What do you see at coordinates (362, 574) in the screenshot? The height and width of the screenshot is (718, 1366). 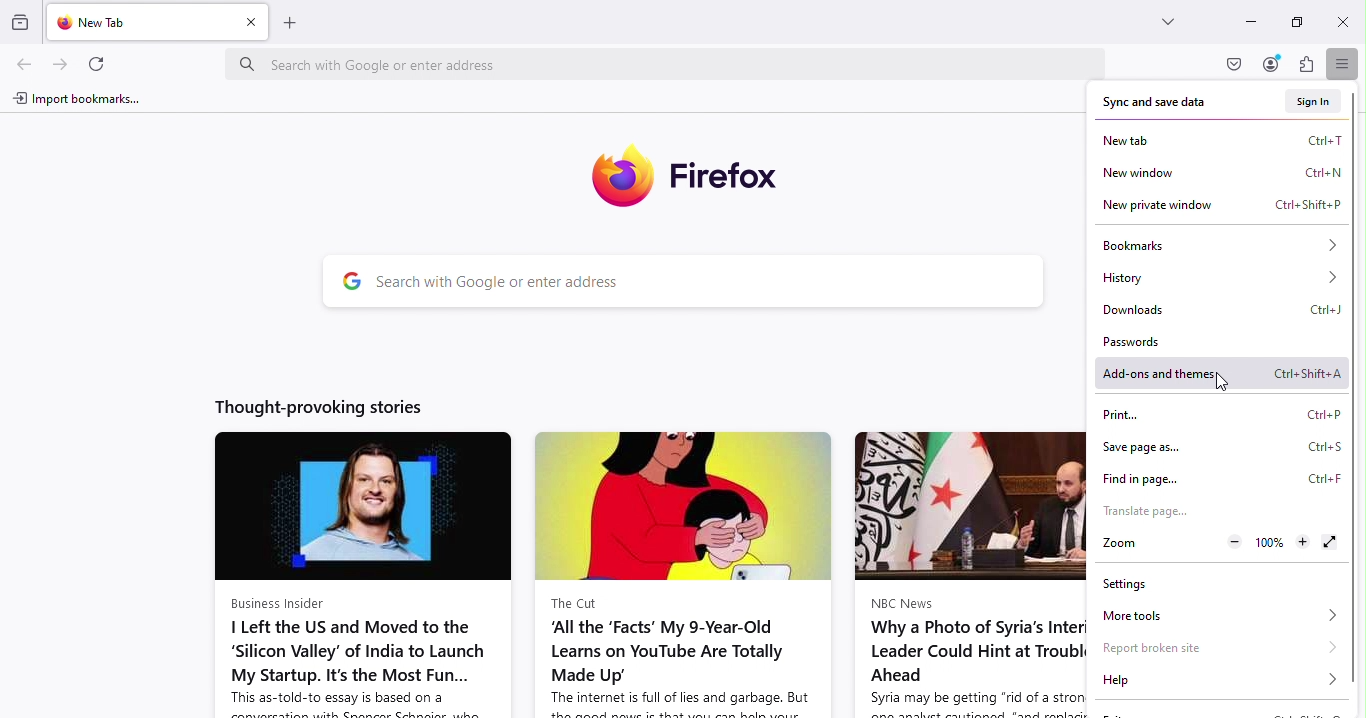 I see `news article from business insider` at bounding box center [362, 574].